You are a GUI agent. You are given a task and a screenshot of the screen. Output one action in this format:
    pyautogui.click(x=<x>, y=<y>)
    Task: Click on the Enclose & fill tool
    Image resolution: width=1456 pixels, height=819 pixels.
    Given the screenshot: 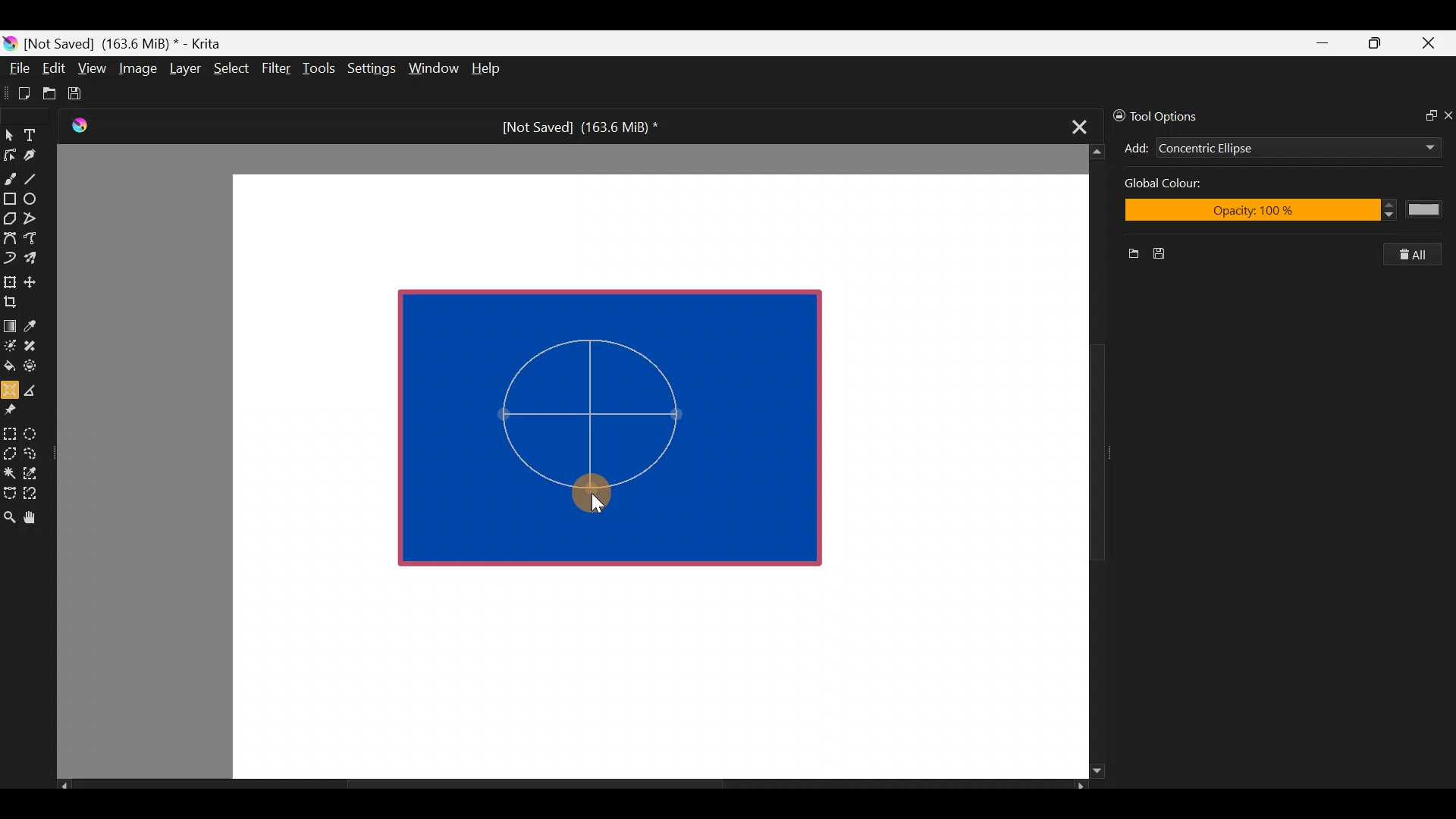 What is the action you would take?
    pyautogui.click(x=33, y=363)
    